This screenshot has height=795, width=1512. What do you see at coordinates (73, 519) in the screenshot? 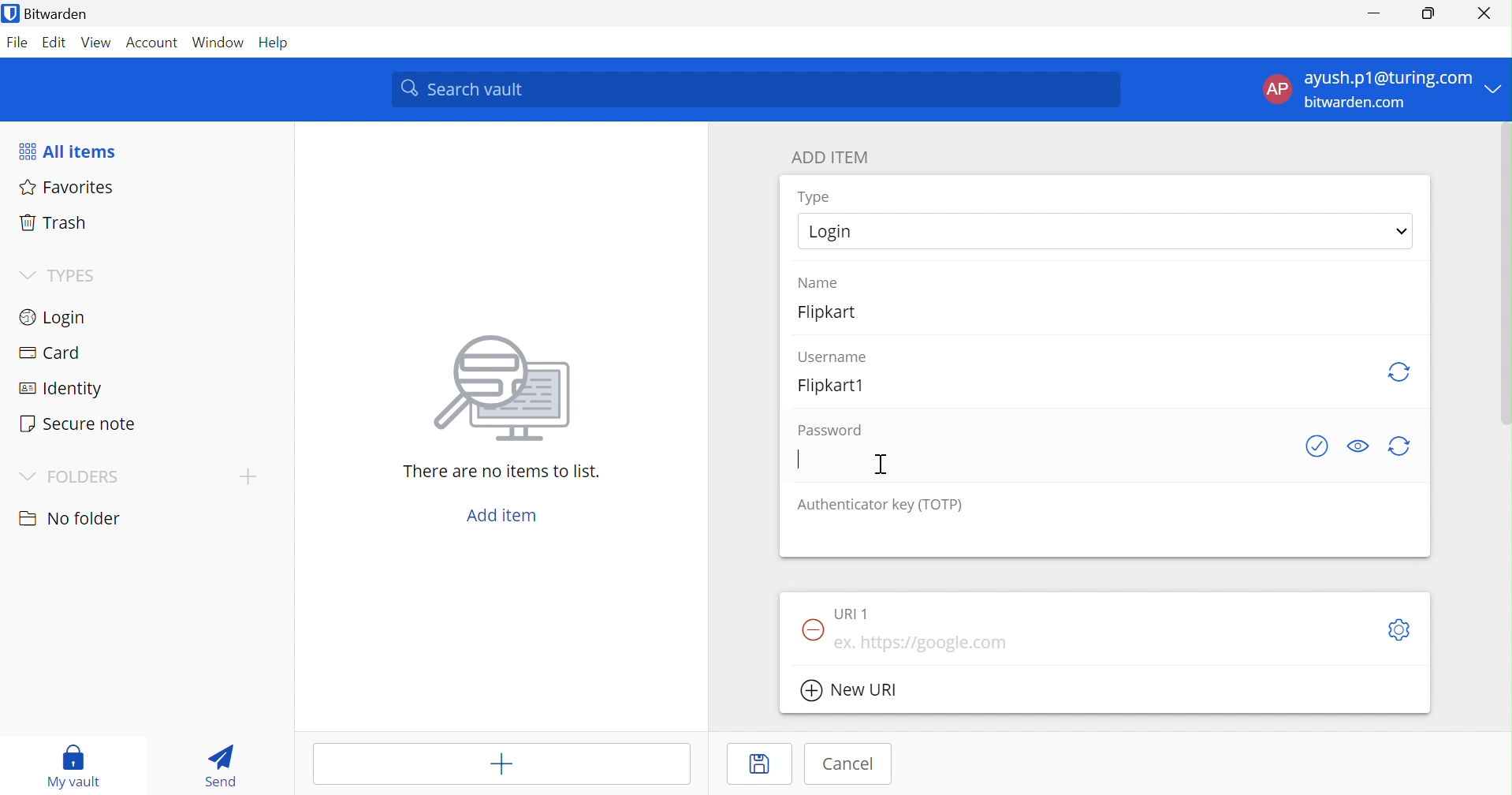
I see `No folder` at bounding box center [73, 519].